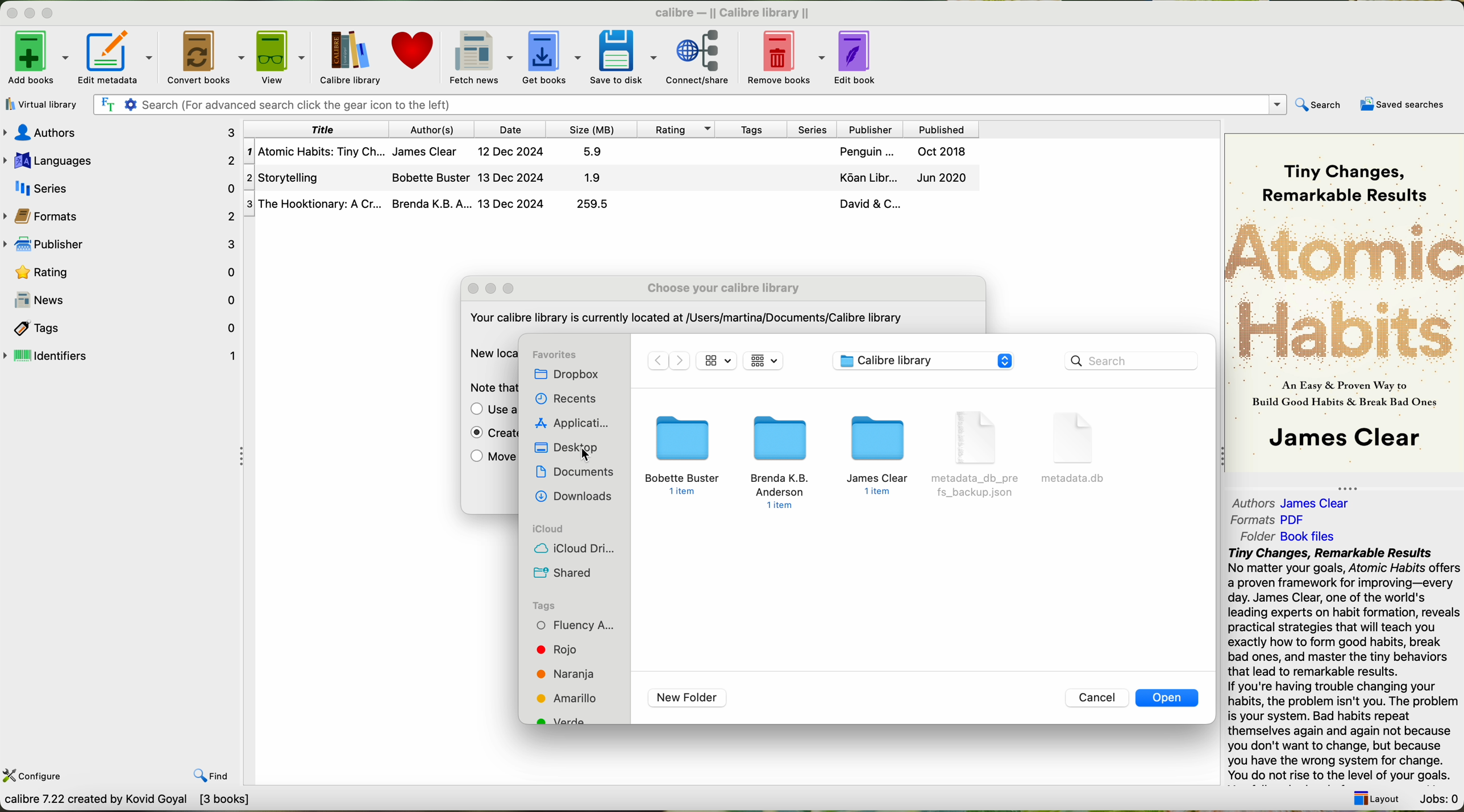 Image resolution: width=1464 pixels, height=812 pixels. What do you see at coordinates (36, 60) in the screenshot?
I see `add books` at bounding box center [36, 60].